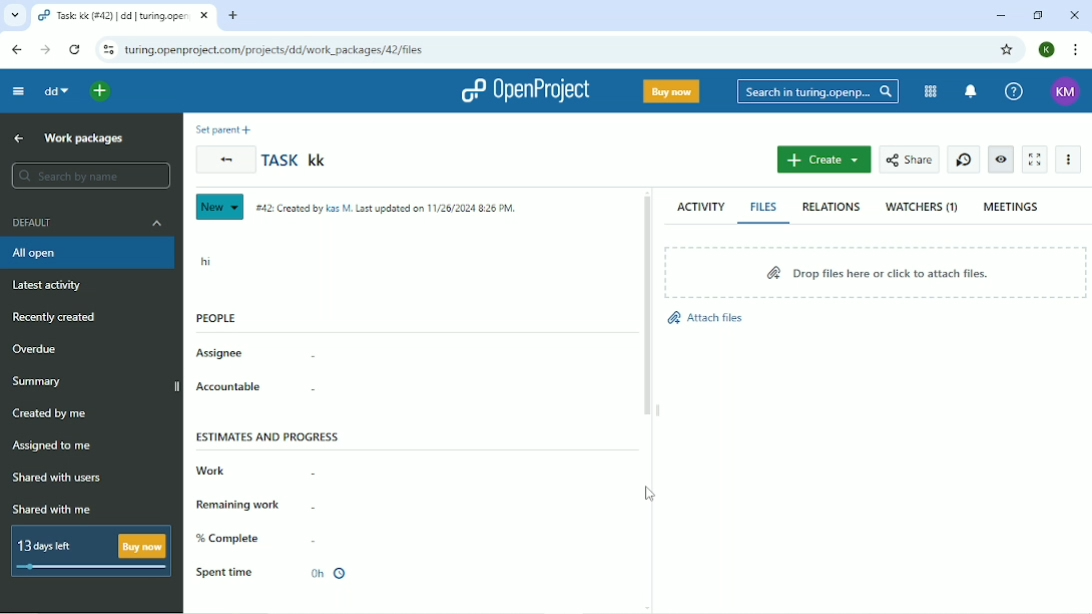 The image size is (1092, 614). Describe the element at coordinates (1036, 160) in the screenshot. I see `Activate zen mode` at that location.